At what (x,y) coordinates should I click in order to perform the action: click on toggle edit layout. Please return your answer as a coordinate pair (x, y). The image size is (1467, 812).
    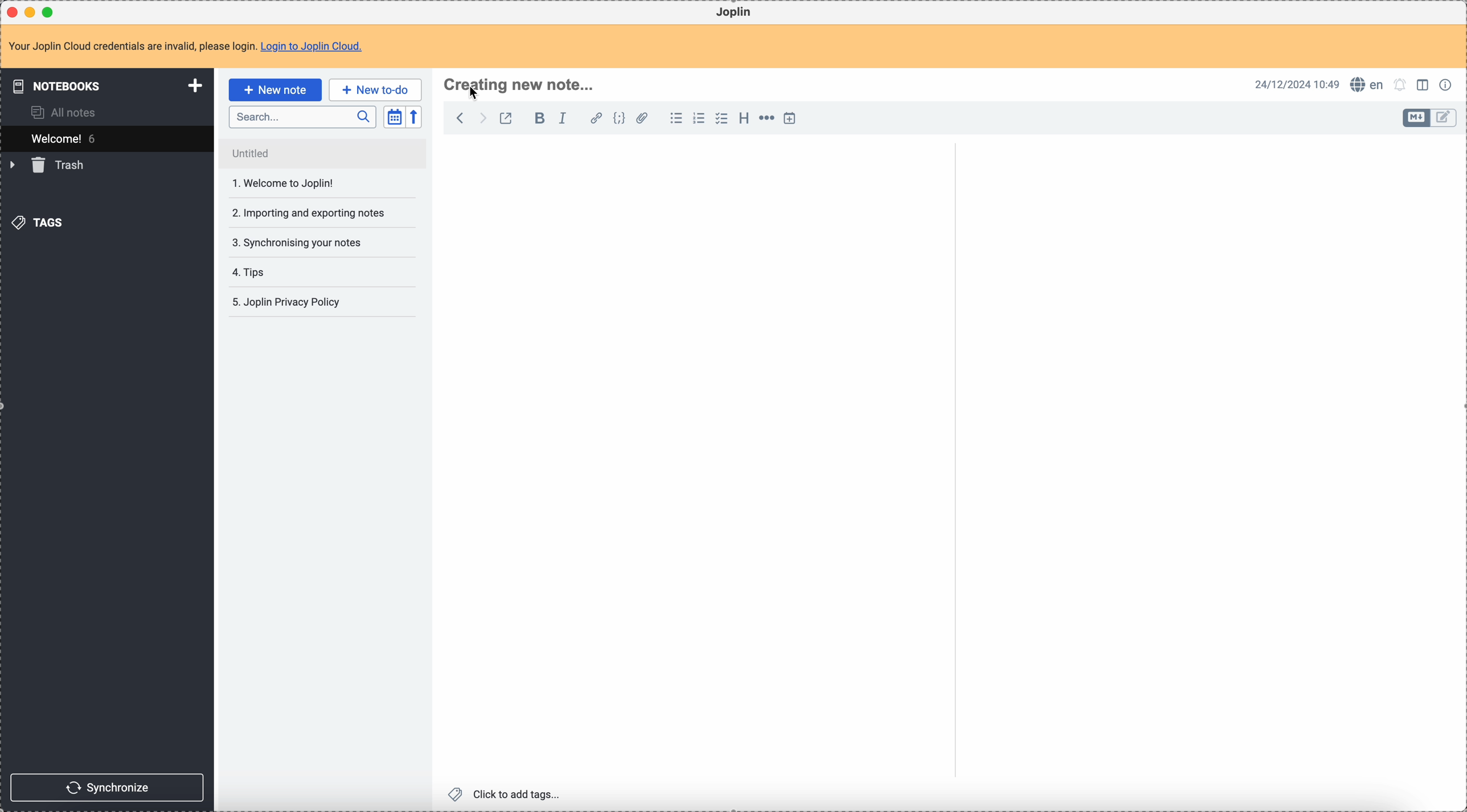
    Looking at the image, I should click on (1425, 87).